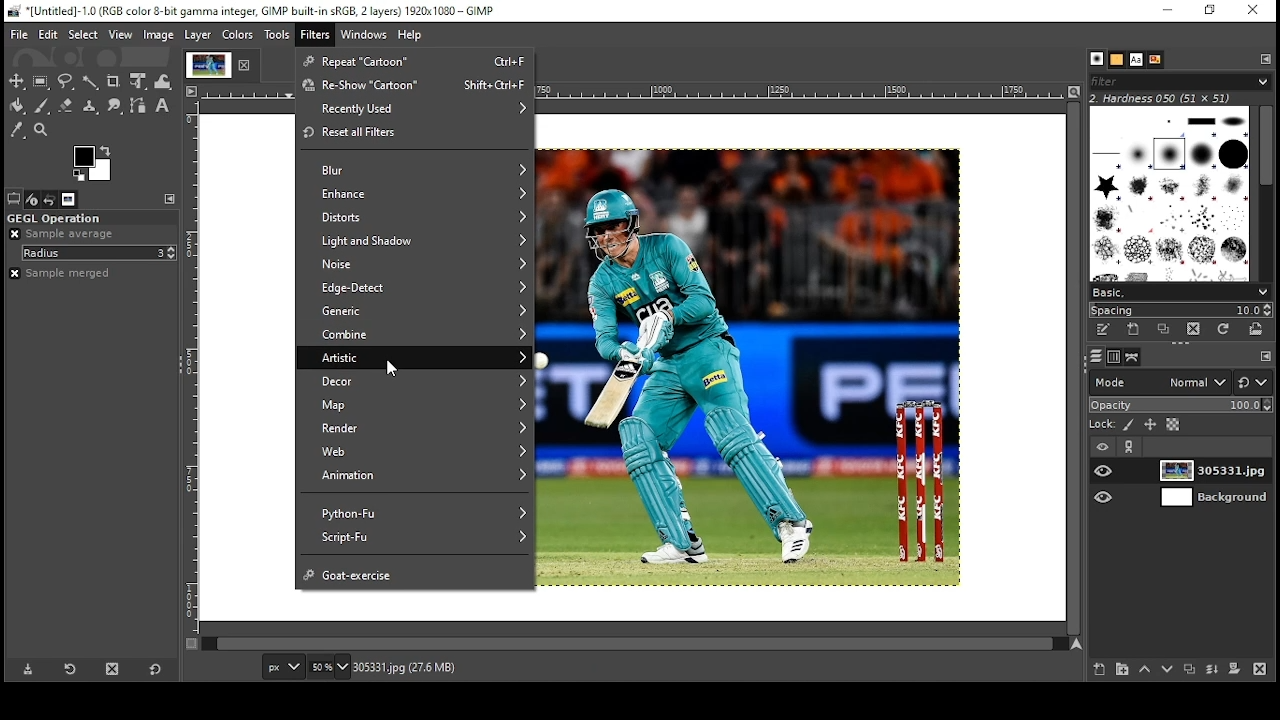  Describe the element at coordinates (165, 106) in the screenshot. I see `text tool` at that location.